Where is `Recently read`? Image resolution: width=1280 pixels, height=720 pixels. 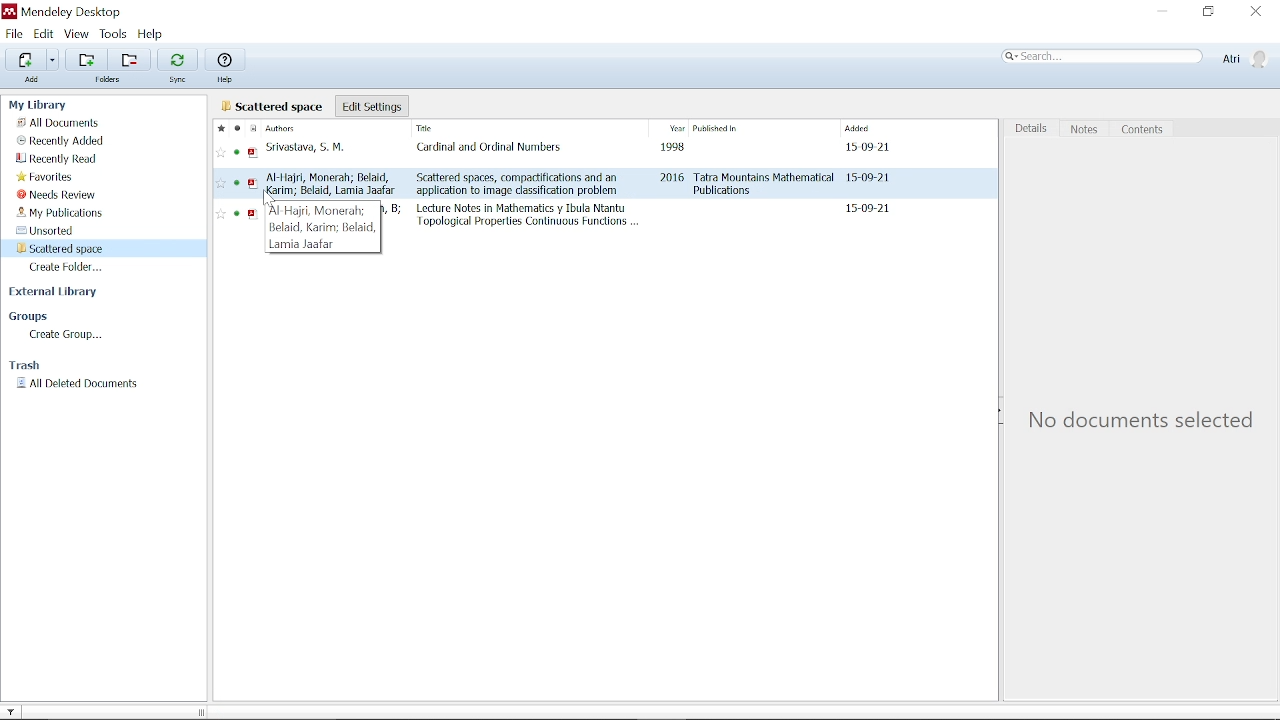 Recently read is located at coordinates (57, 160).